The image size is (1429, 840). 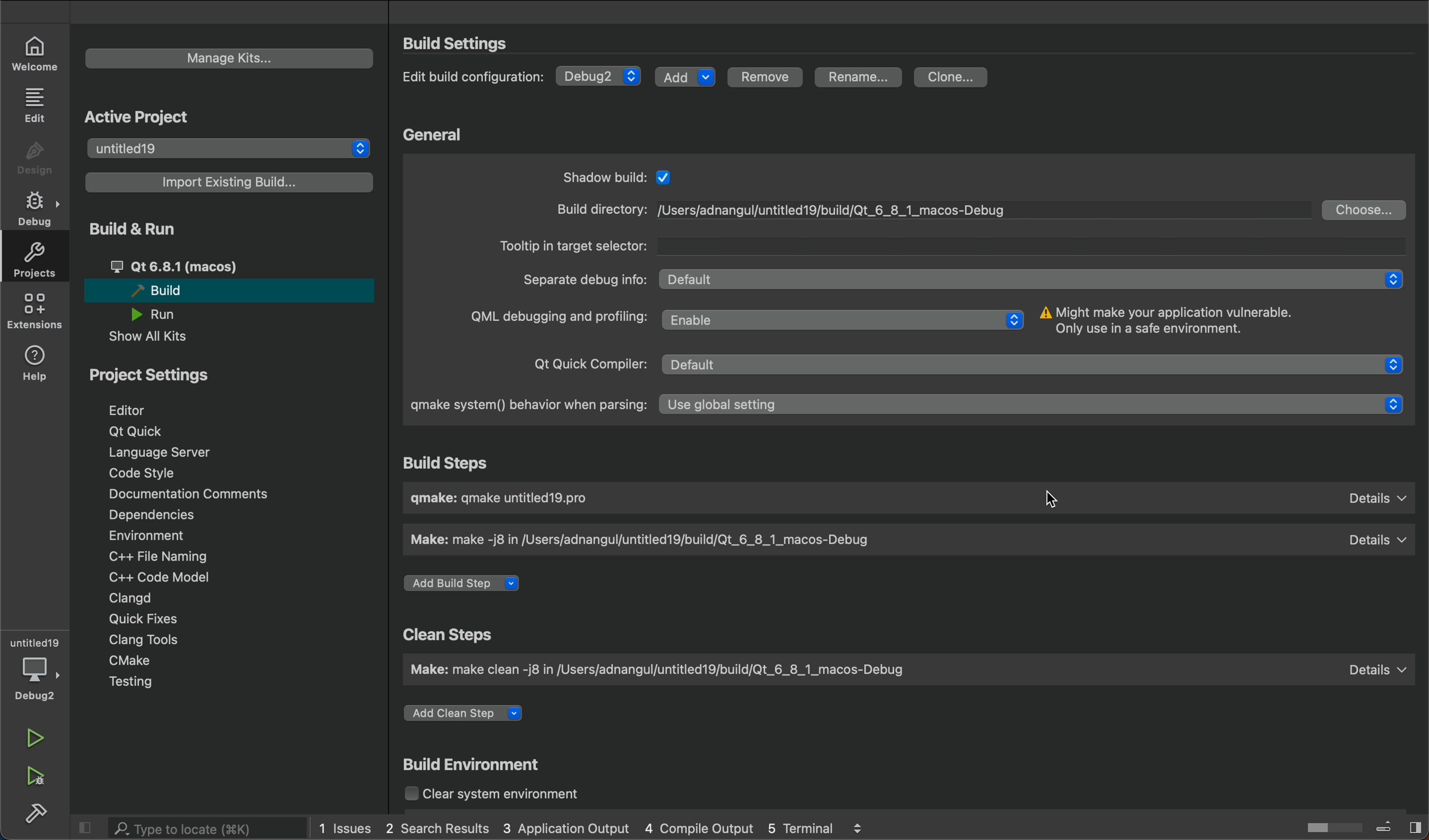 What do you see at coordinates (157, 577) in the screenshot?
I see `c++ code model` at bounding box center [157, 577].